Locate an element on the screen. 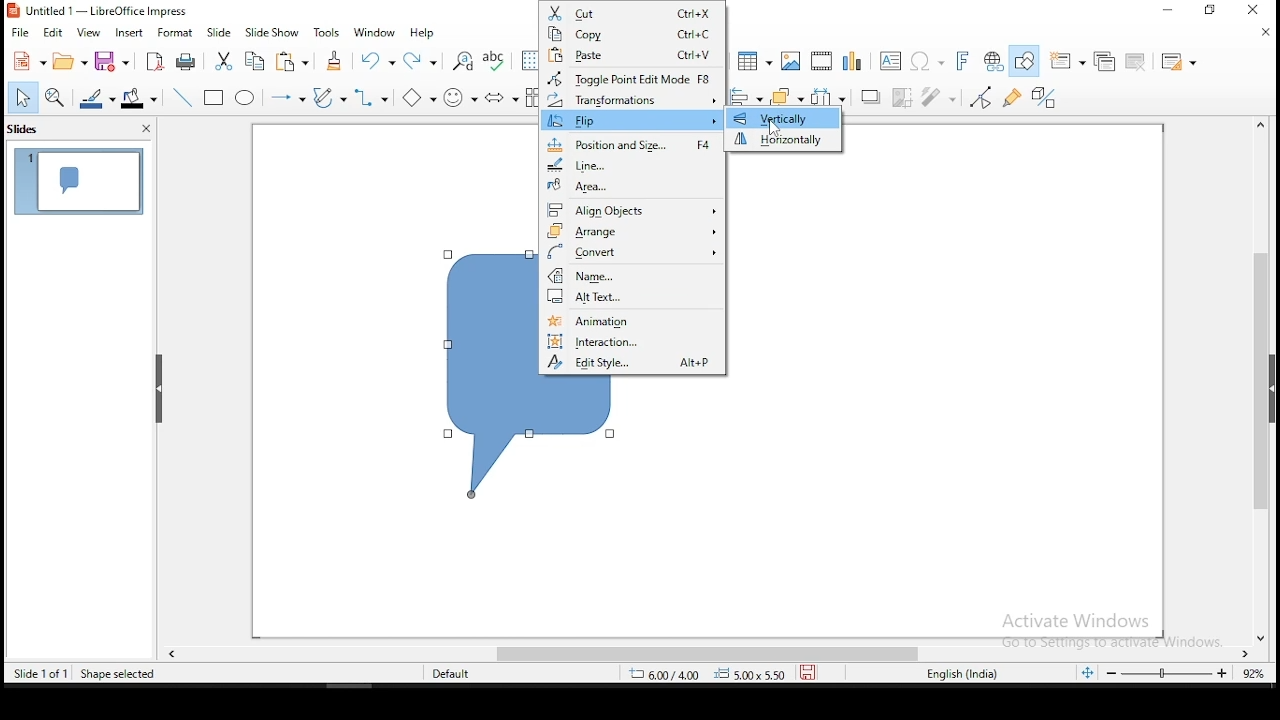 The image size is (1280, 720). restore is located at coordinates (1169, 11).